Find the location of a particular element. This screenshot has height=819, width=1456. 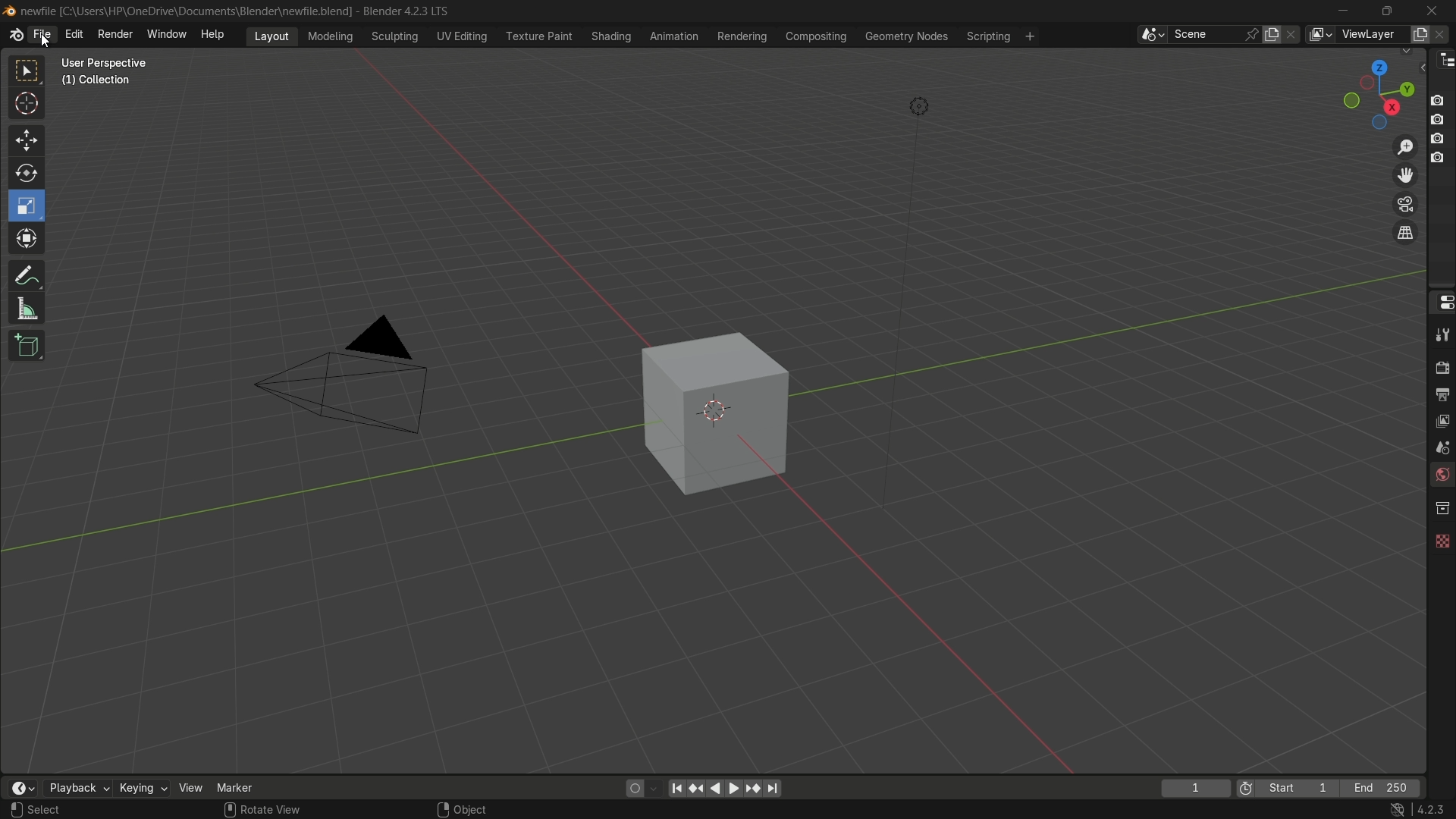

compositing menu is located at coordinates (817, 36).